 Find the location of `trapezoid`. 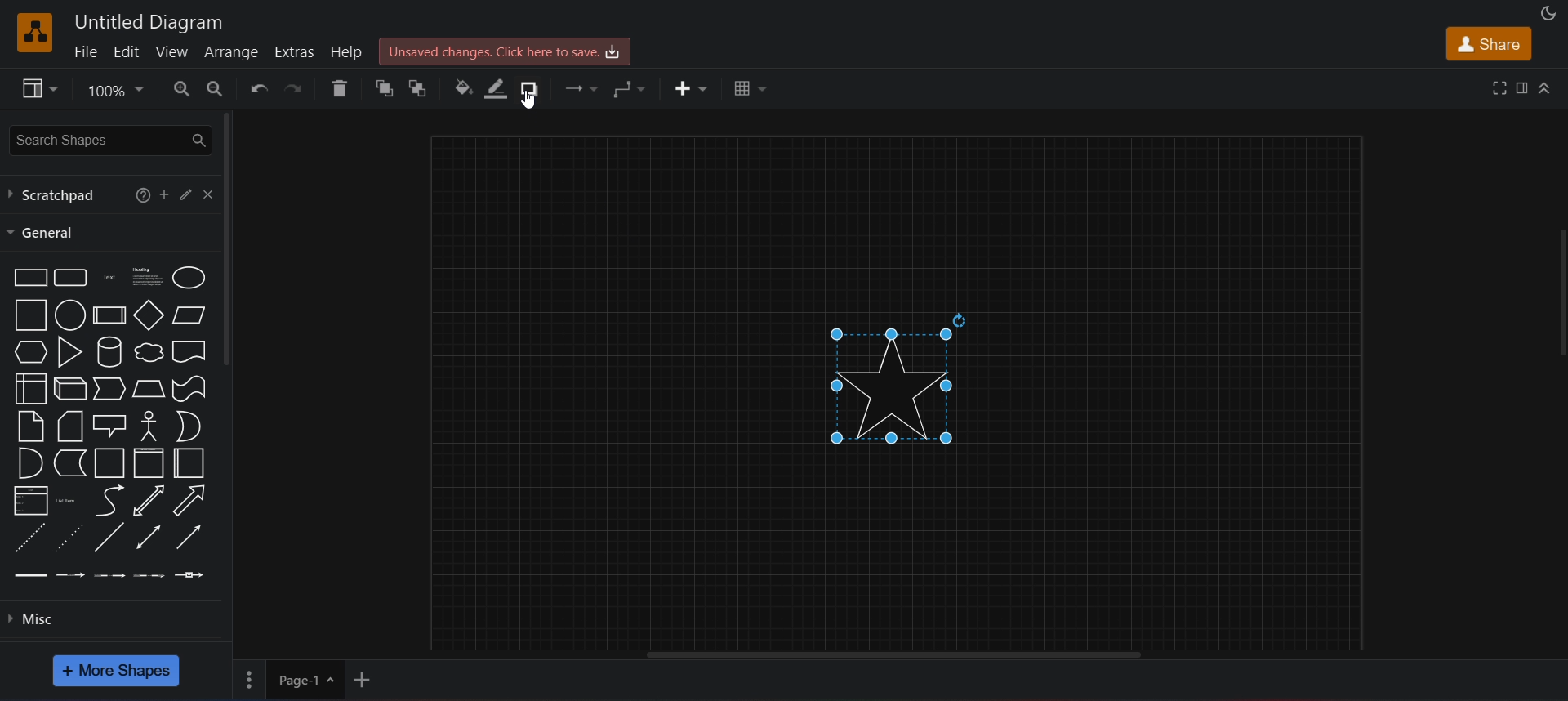

trapezoid is located at coordinates (148, 388).